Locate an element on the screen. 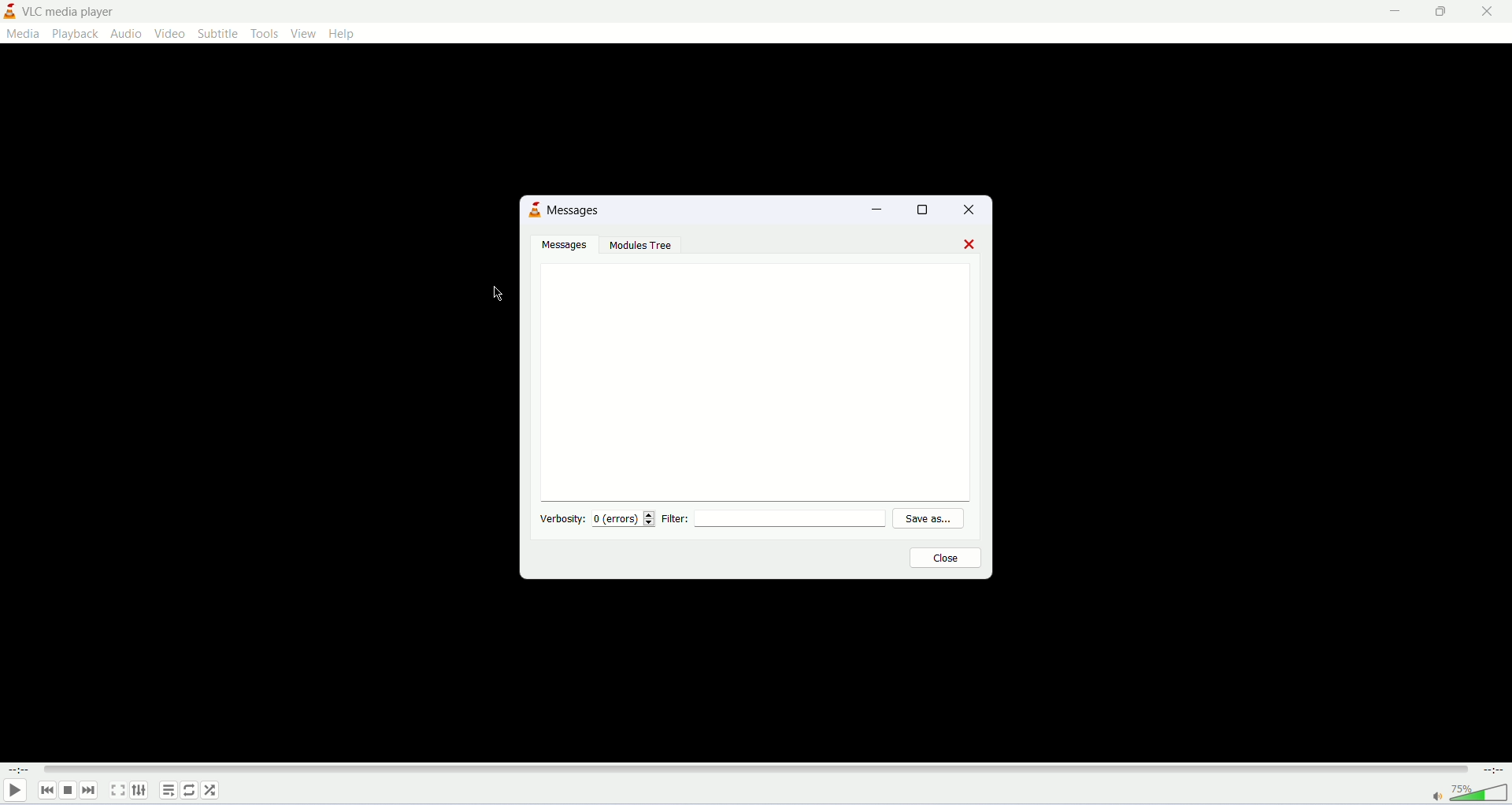 The height and width of the screenshot is (805, 1512). fullscreen is located at coordinates (116, 790).